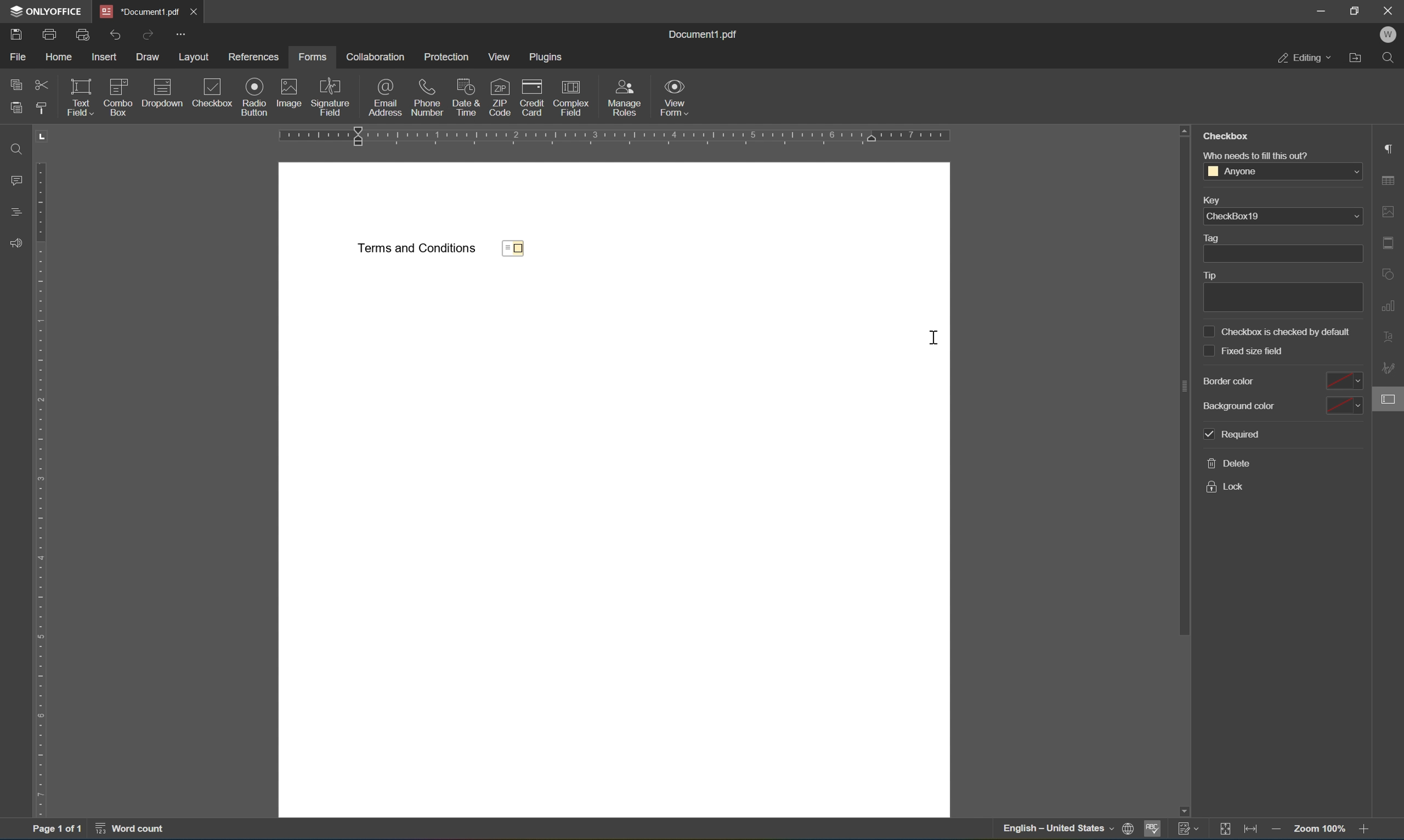  I want to click on key, so click(1213, 199).